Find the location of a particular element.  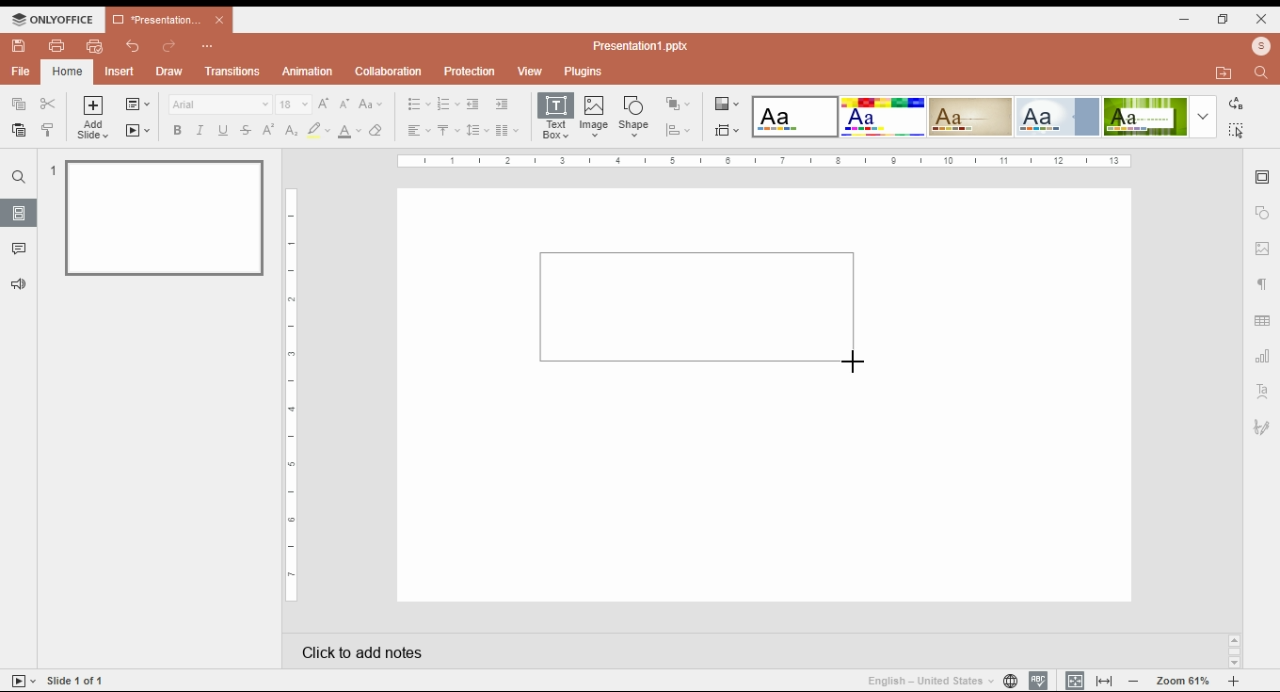

slide is located at coordinates (19, 213).